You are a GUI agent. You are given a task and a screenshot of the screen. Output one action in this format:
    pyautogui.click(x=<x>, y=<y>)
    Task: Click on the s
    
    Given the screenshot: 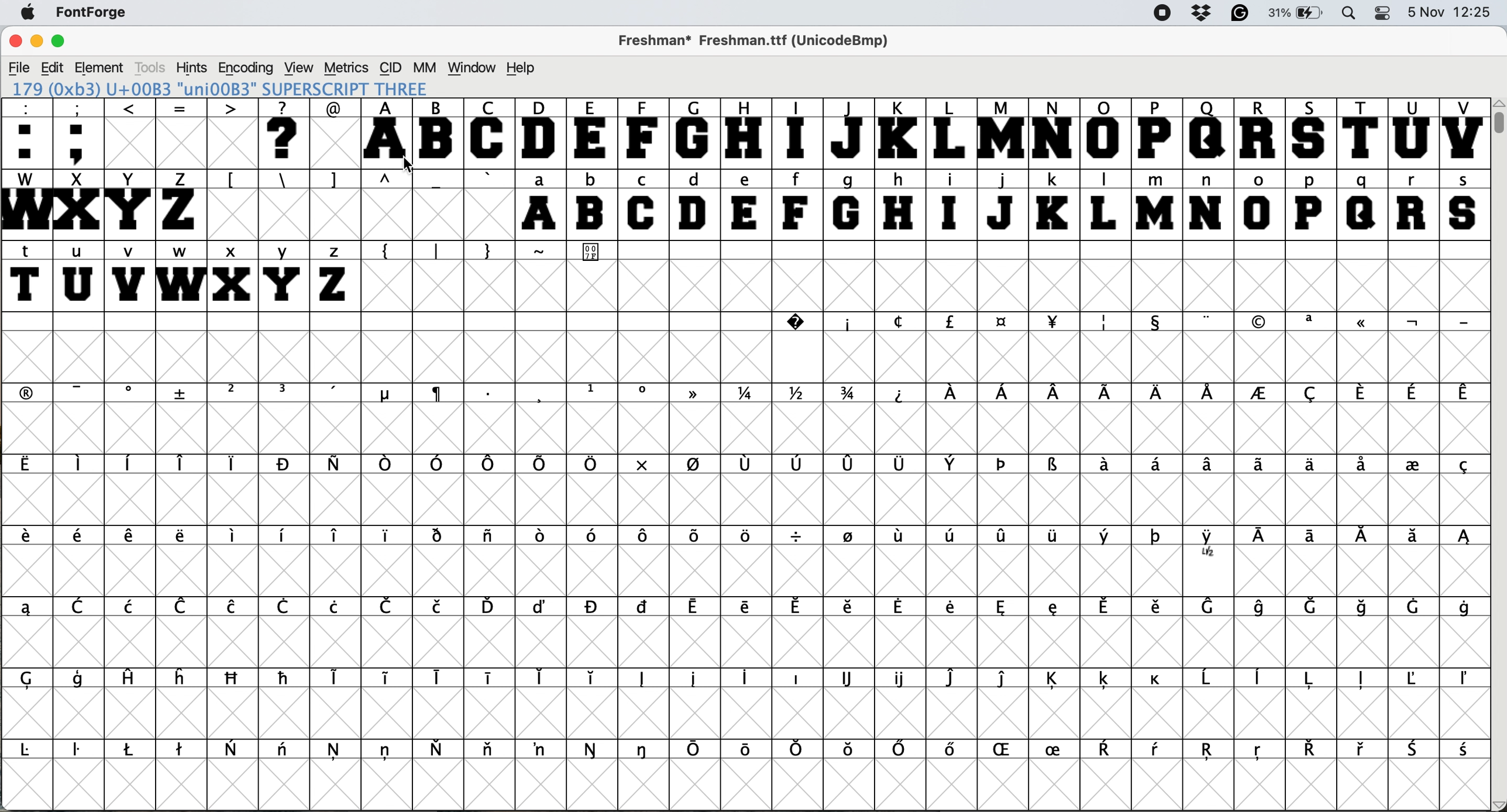 What is the action you would take?
    pyautogui.click(x=1464, y=204)
    